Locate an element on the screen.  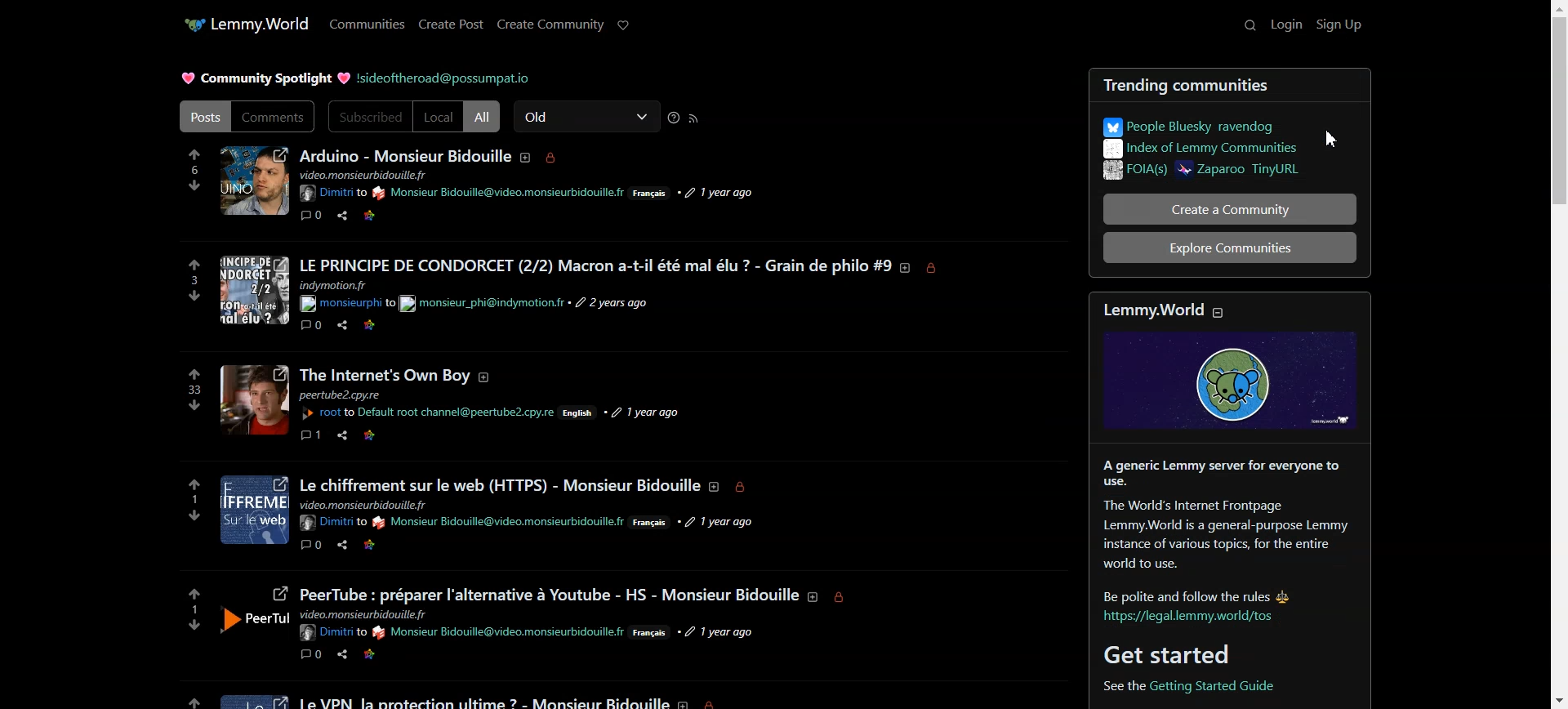
Login is located at coordinates (1286, 25).